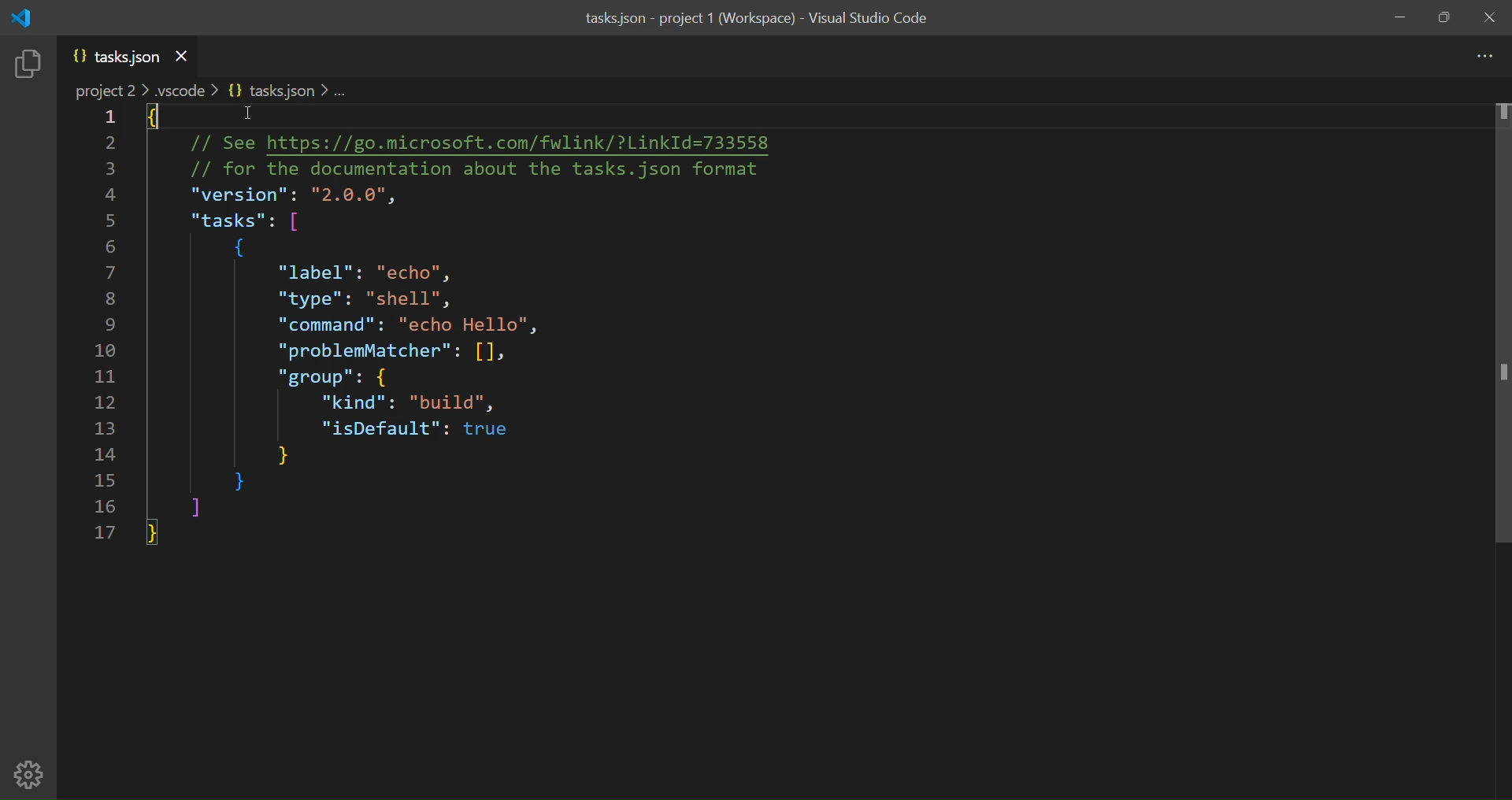 This screenshot has height=800, width=1512. What do you see at coordinates (182, 55) in the screenshot?
I see `close current file` at bounding box center [182, 55].